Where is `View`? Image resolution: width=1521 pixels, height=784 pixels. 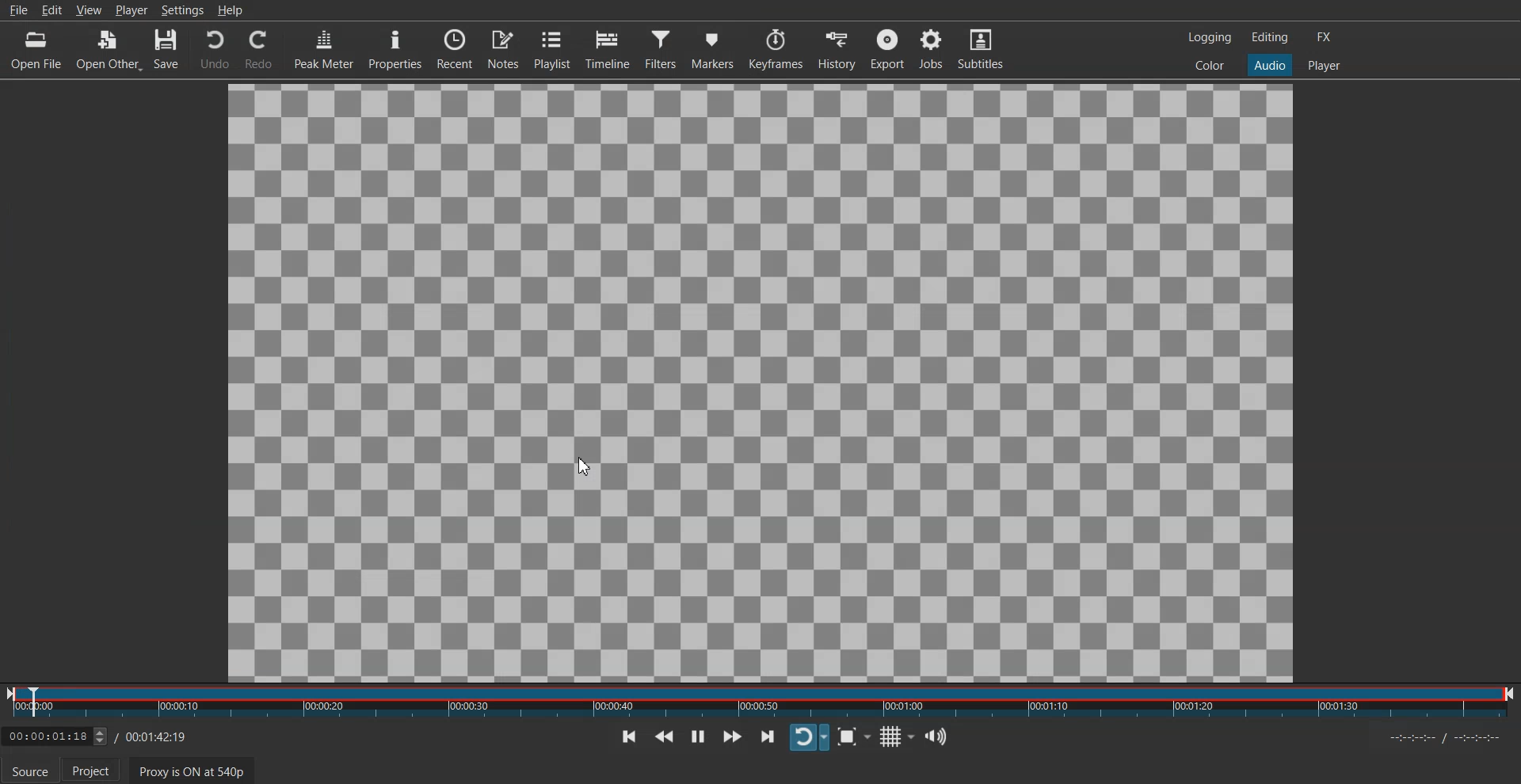 View is located at coordinates (89, 10).